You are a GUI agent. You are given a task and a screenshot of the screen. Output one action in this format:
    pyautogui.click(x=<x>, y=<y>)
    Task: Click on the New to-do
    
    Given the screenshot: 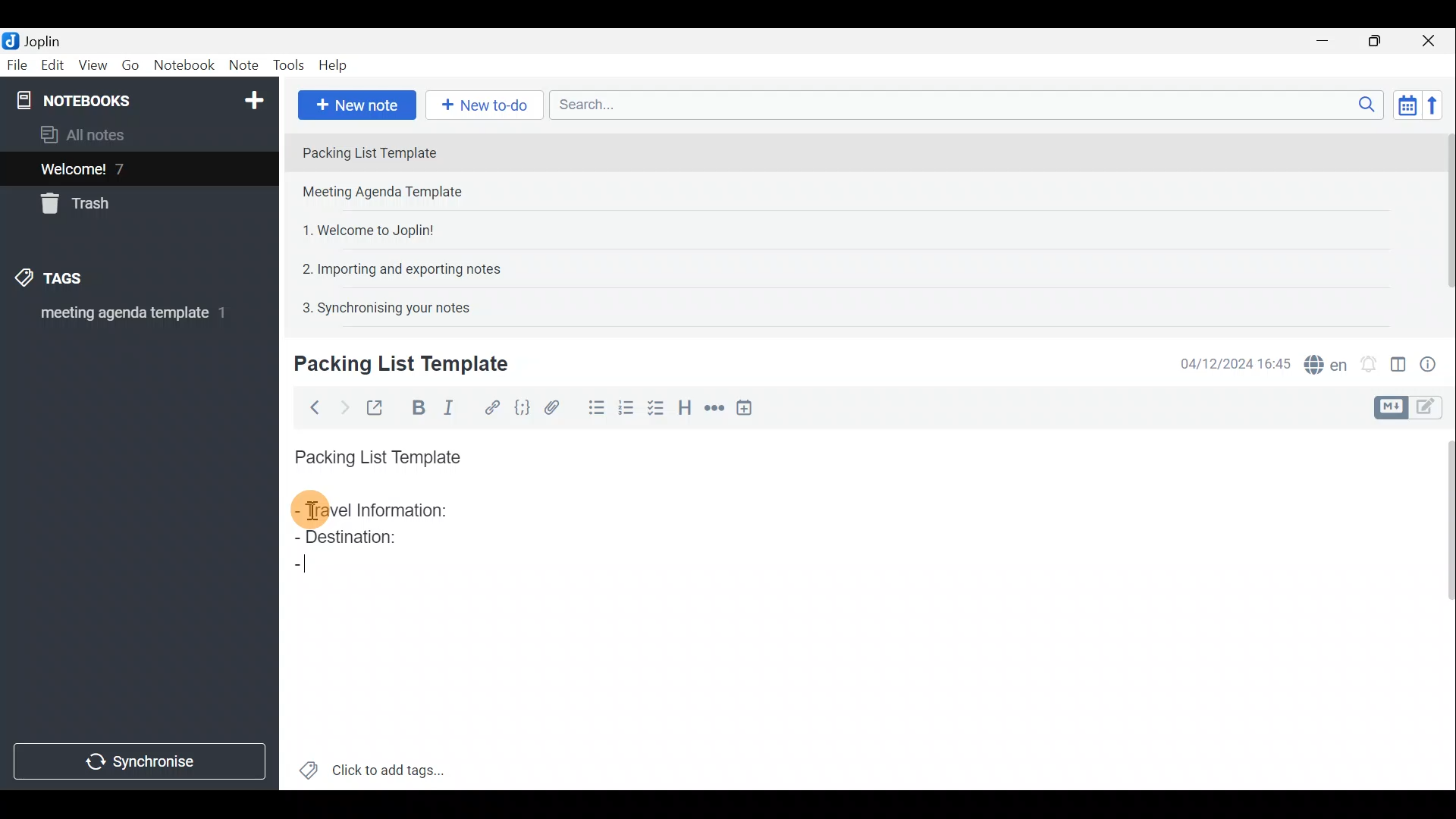 What is the action you would take?
    pyautogui.click(x=485, y=105)
    